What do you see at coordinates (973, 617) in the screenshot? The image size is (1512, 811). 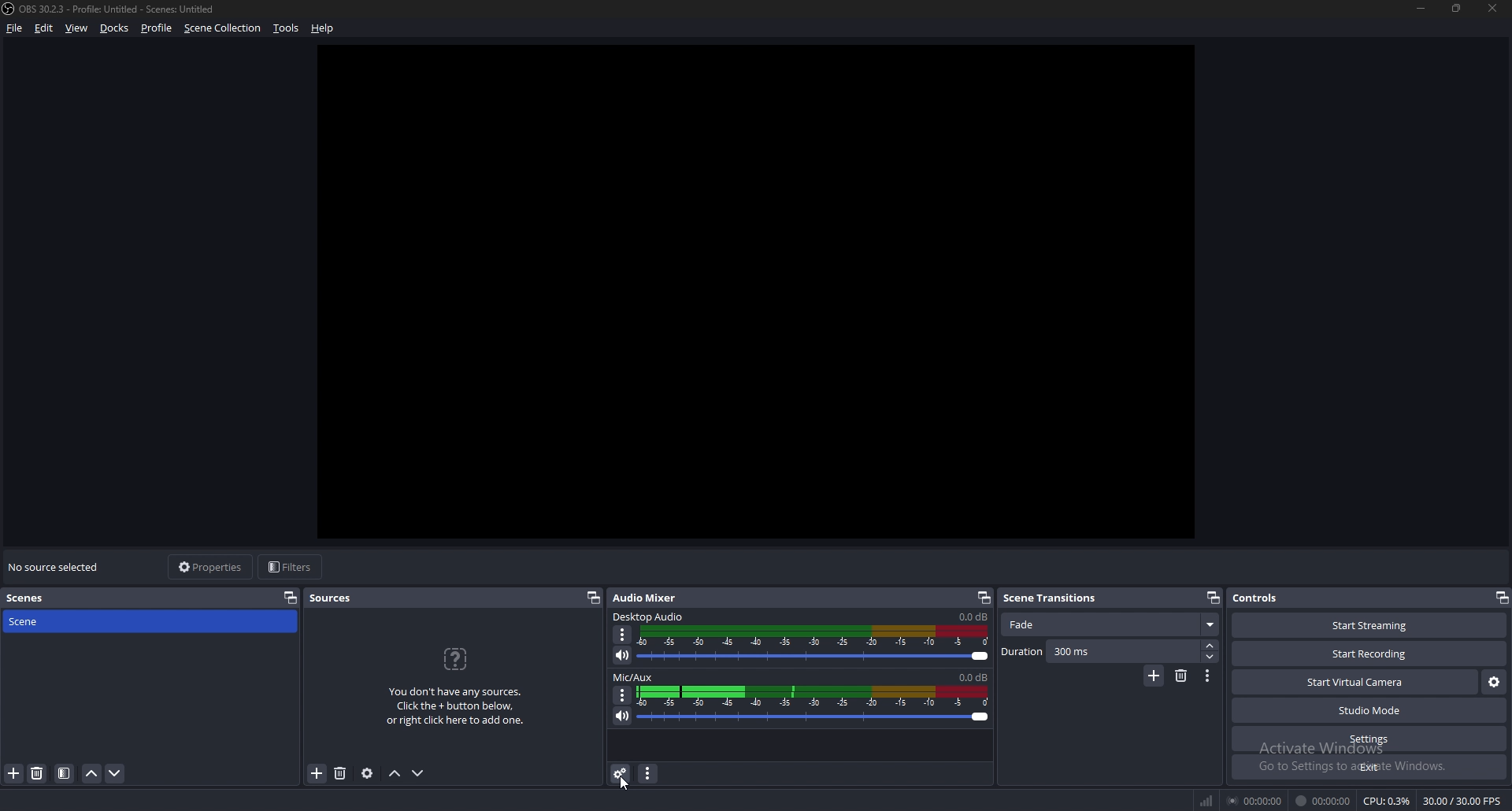 I see `desktop audio sound` at bounding box center [973, 617].